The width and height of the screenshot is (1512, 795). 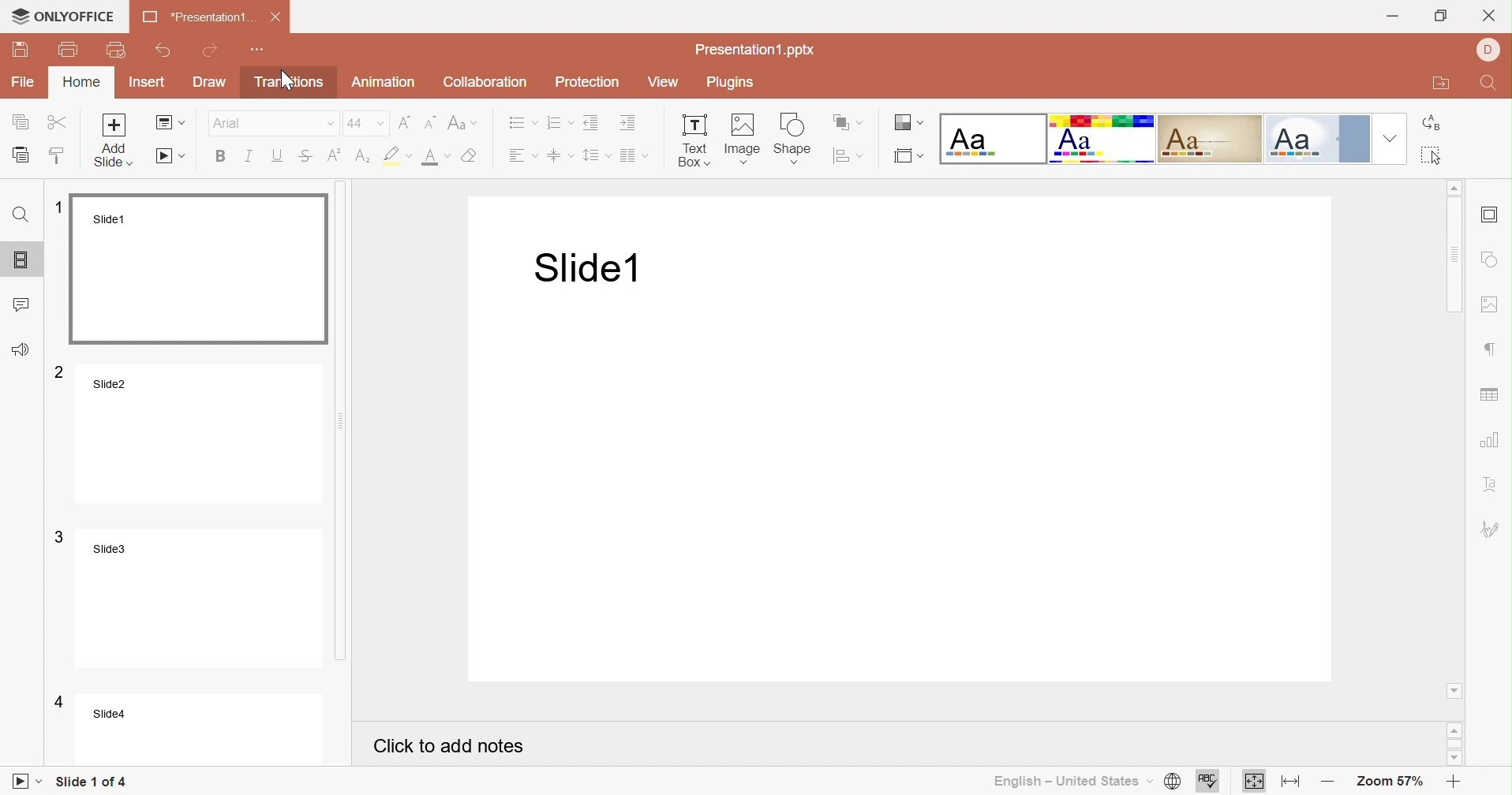 I want to click on Increment font size, so click(x=405, y=123).